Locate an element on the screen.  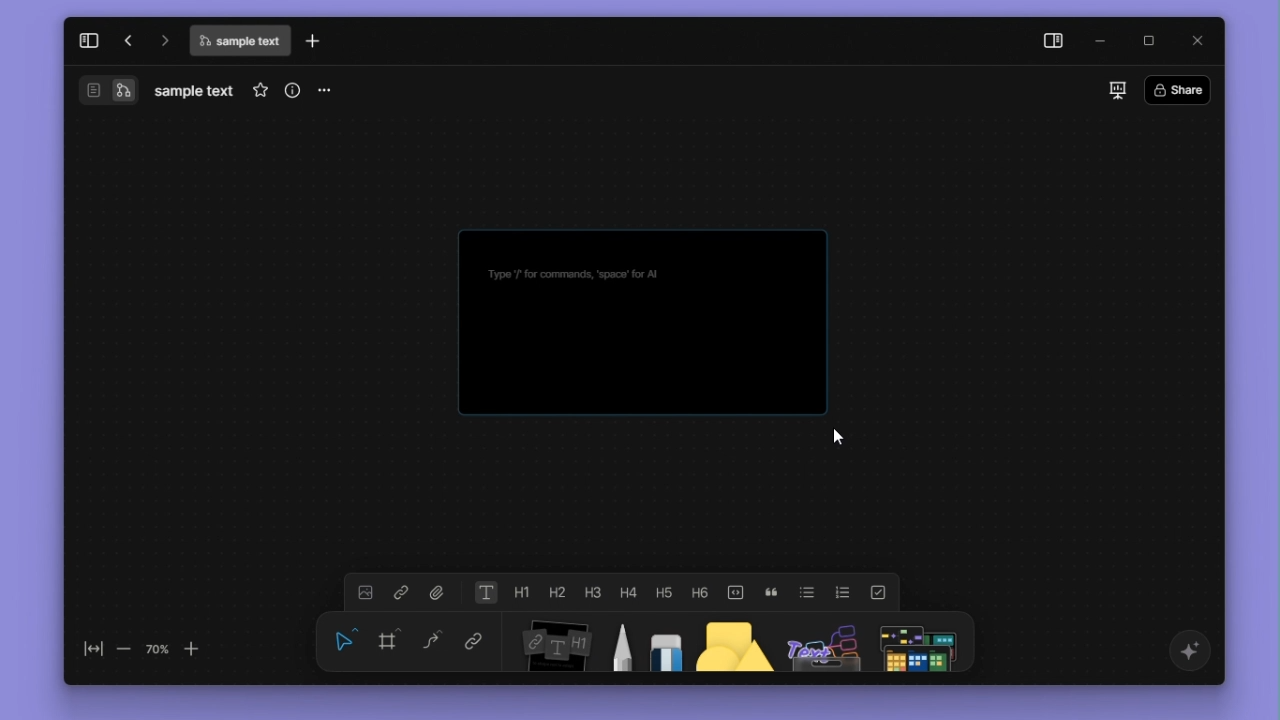
heading 6 is located at coordinates (702, 591).